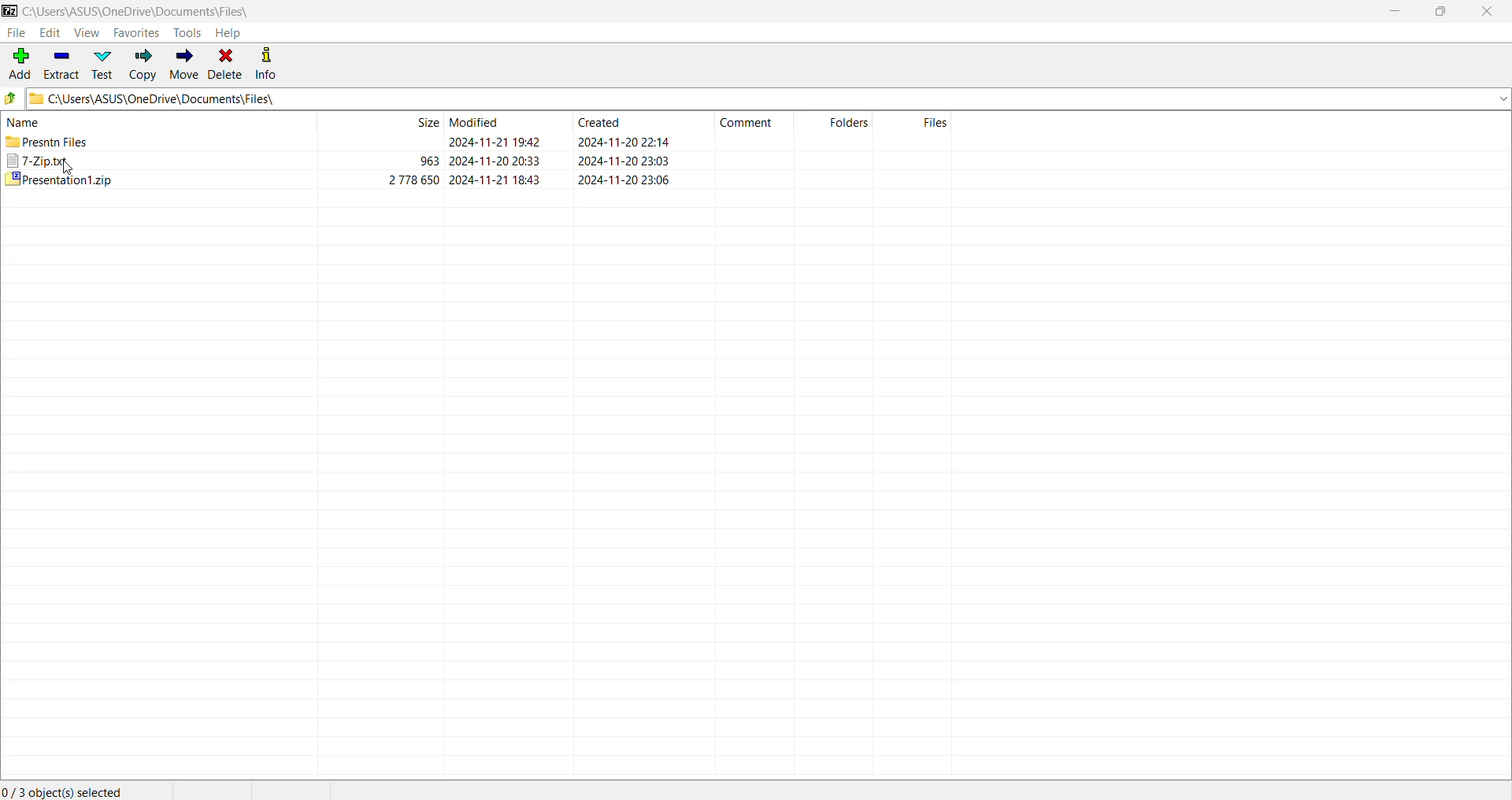 The height and width of the screenshot is (800, 1512). I want to click on cursor, so click(68, 169).